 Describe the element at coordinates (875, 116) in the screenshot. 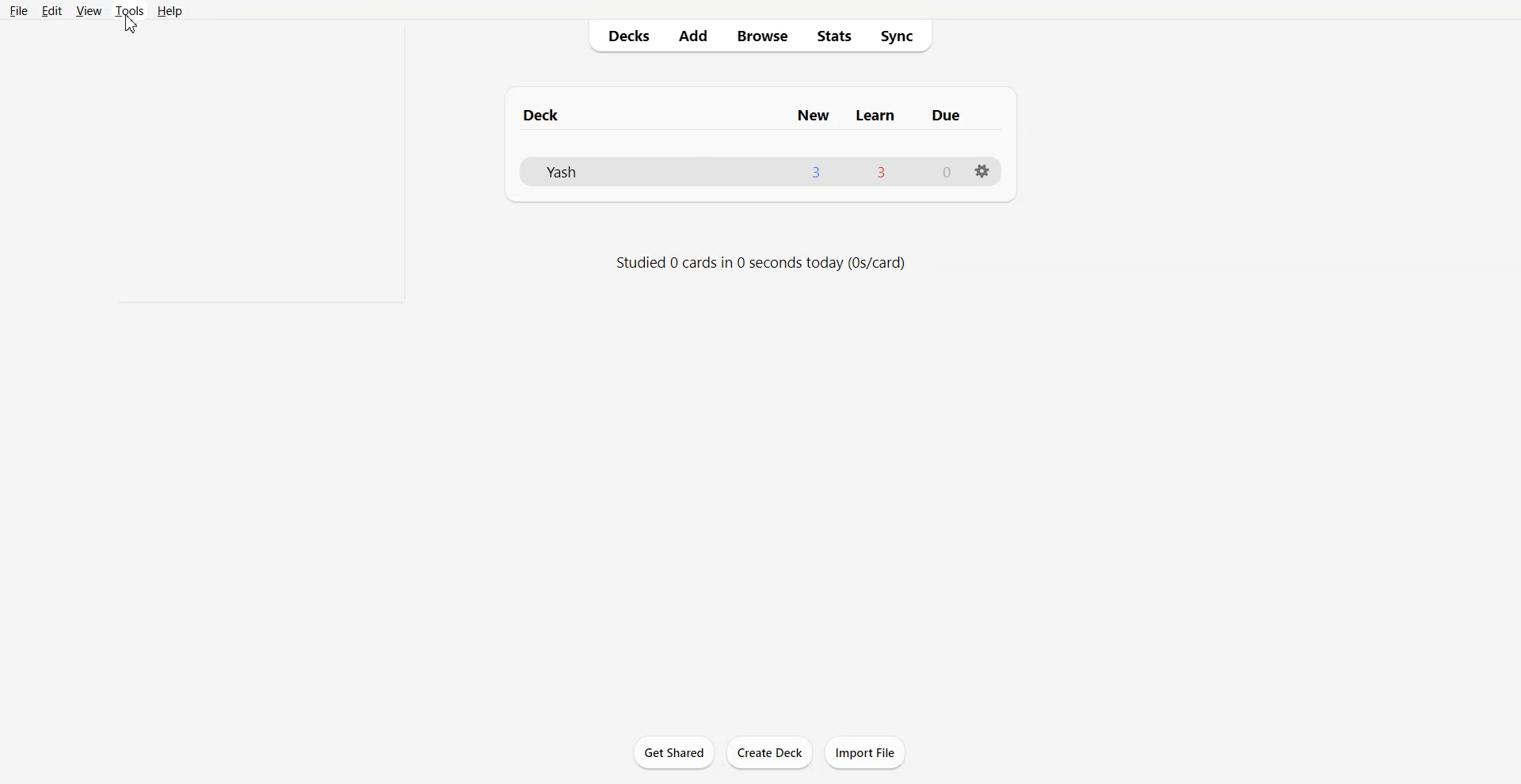

I see `learn` at that location.